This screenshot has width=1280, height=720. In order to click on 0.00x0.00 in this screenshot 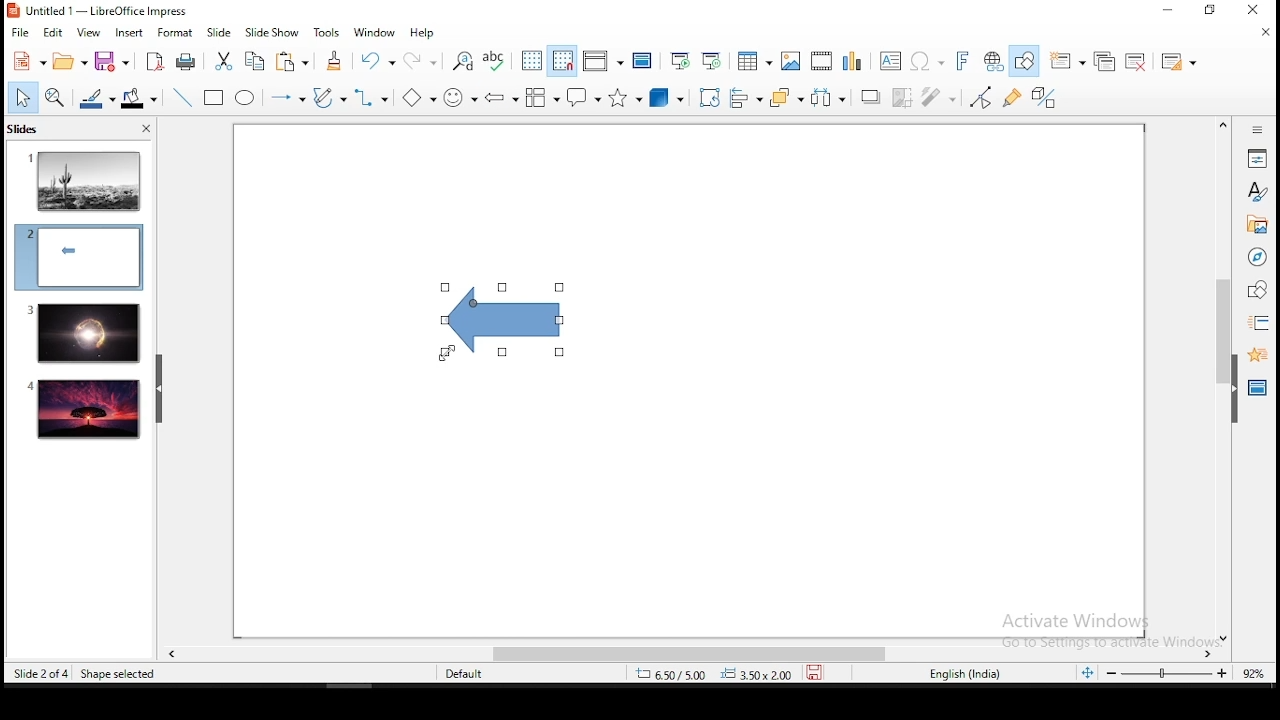, I will do `click(757, 674)`.